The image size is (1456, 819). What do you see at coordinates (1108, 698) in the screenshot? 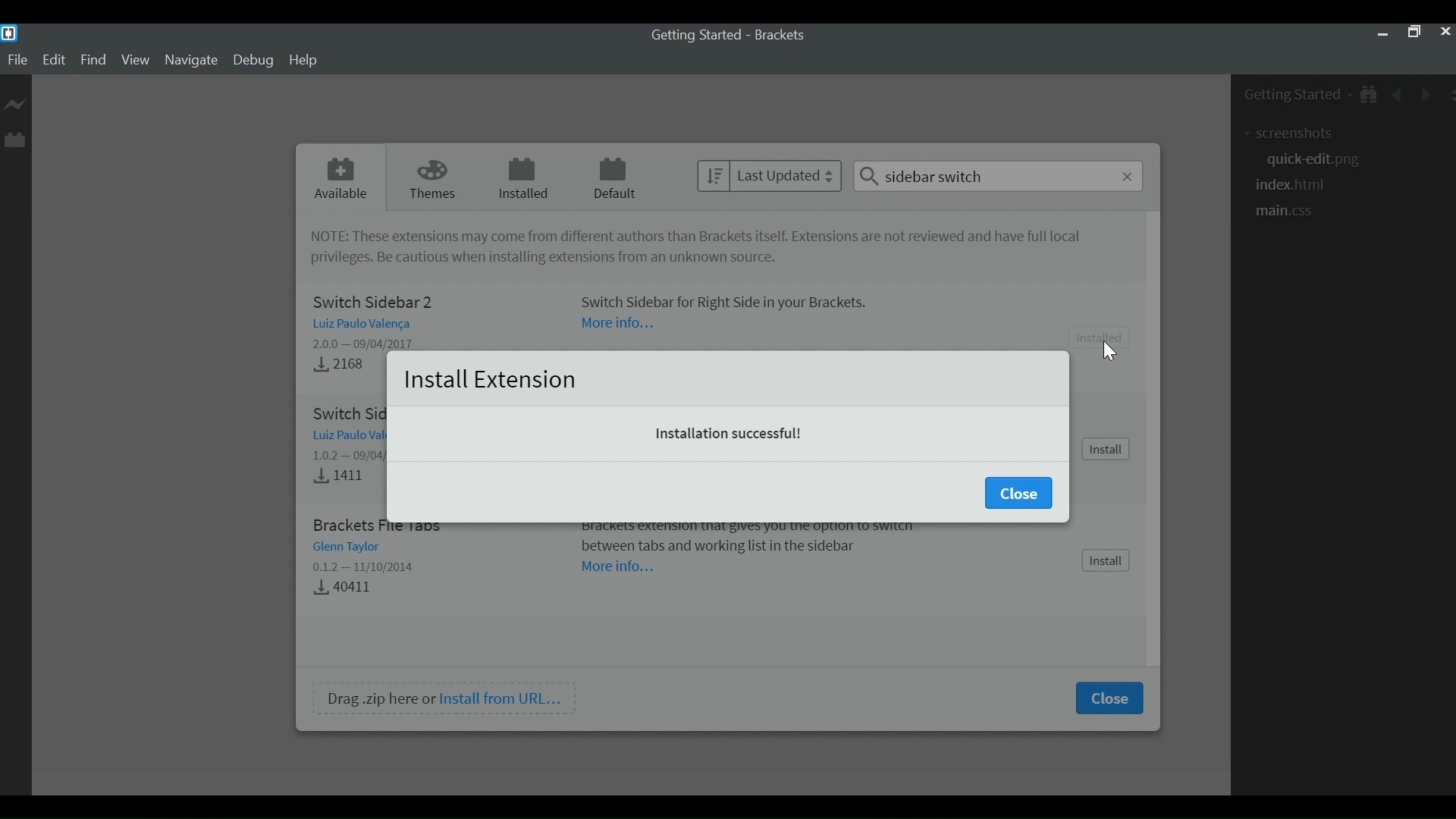
I see `Close` at bounding box center [1108, 698].